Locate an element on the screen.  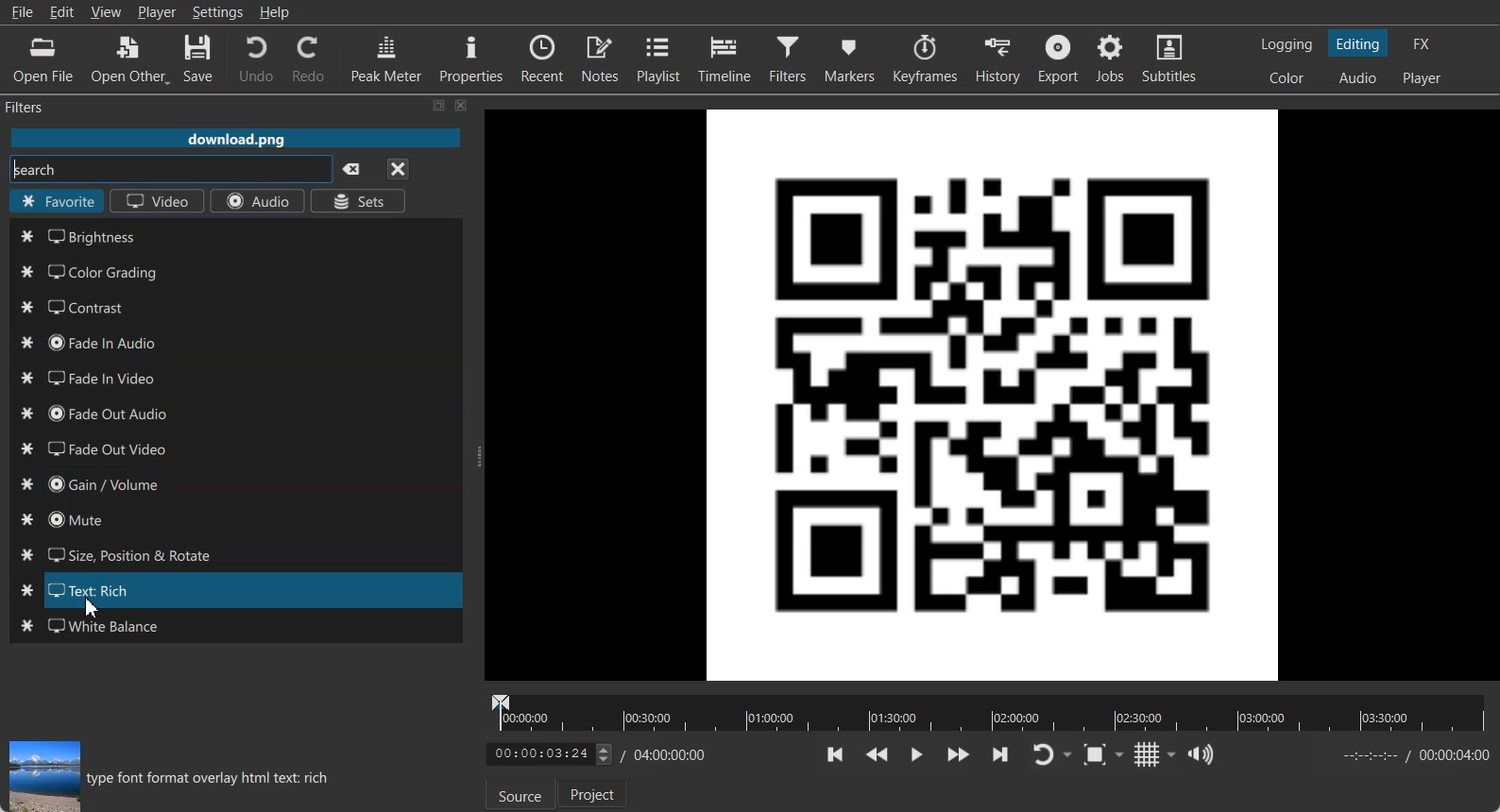
Video timeline is located at coordinates (988, 711).